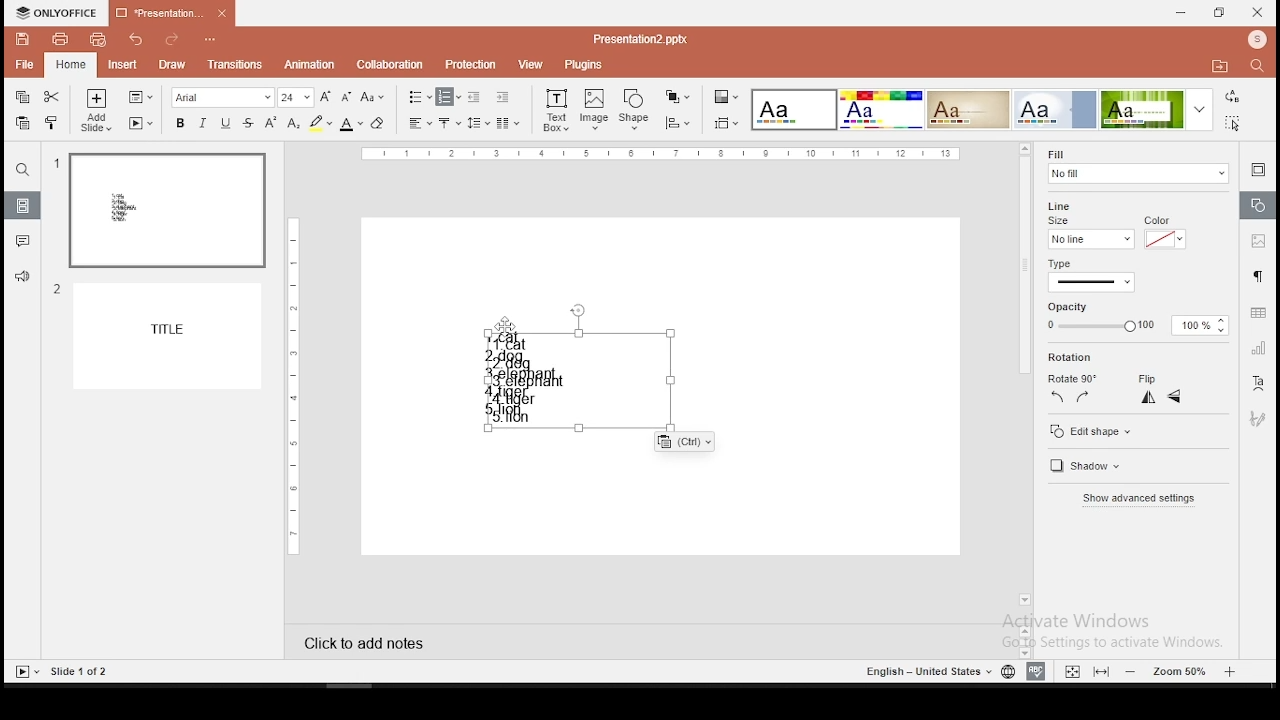  What do you see at coordinates (178, 122) in the screenshot?
I see `bold` at bounding box center [178, 122].